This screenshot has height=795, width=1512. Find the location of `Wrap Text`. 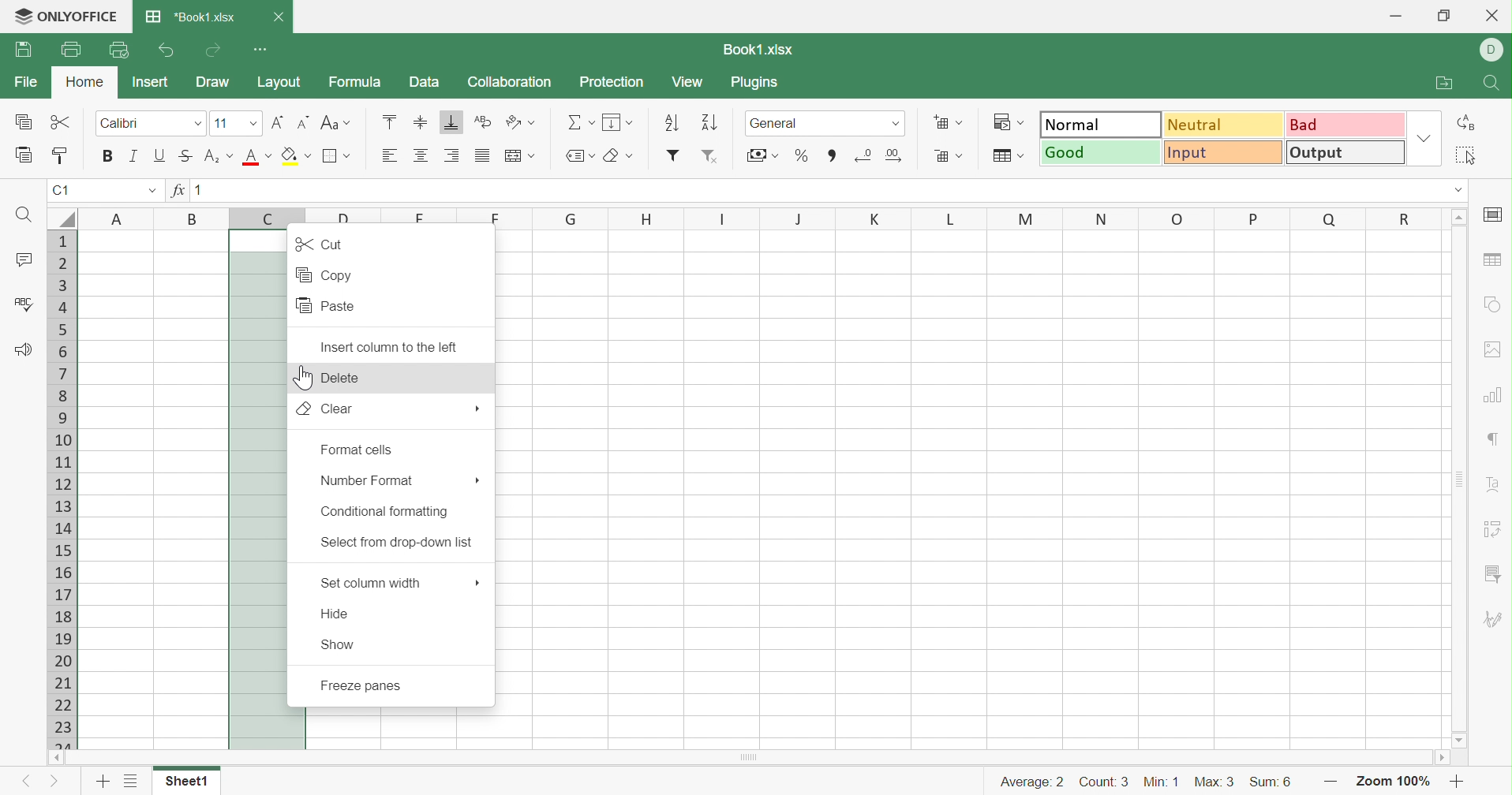

Wrap Text is located at coordinates (480, 119).